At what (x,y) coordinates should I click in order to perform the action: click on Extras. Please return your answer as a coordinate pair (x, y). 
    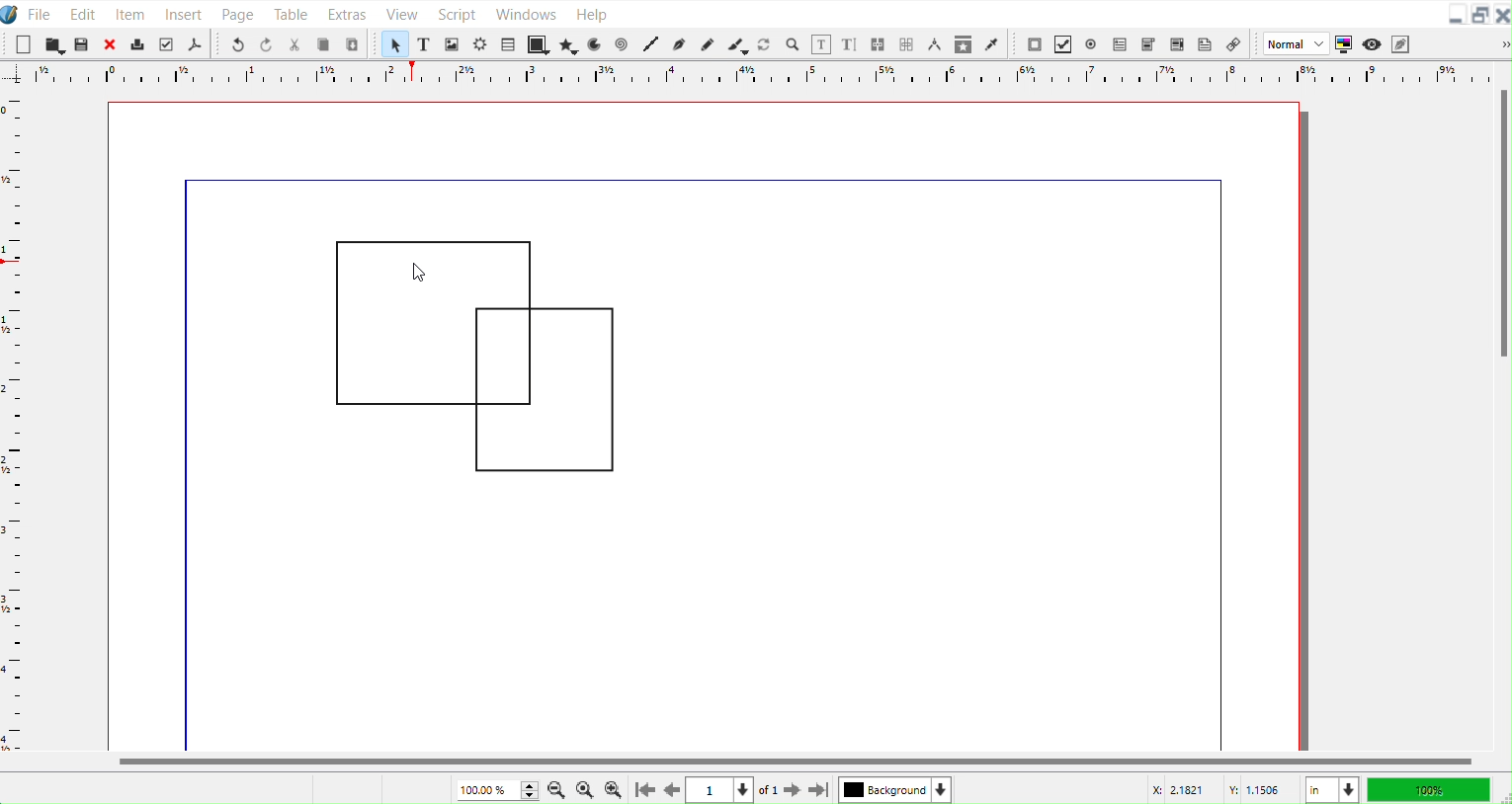
    Looking at the image, I should click on (348, 13).